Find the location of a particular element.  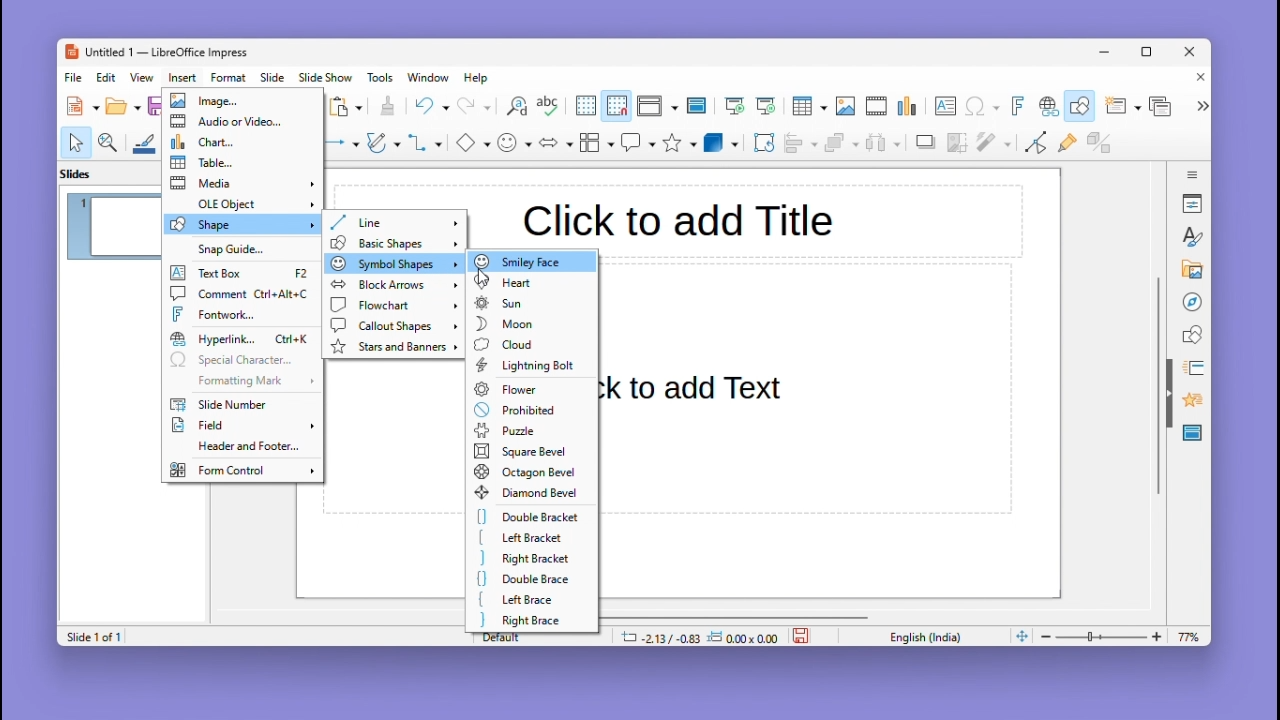

Block arrows is located at coordinates (392, 285).